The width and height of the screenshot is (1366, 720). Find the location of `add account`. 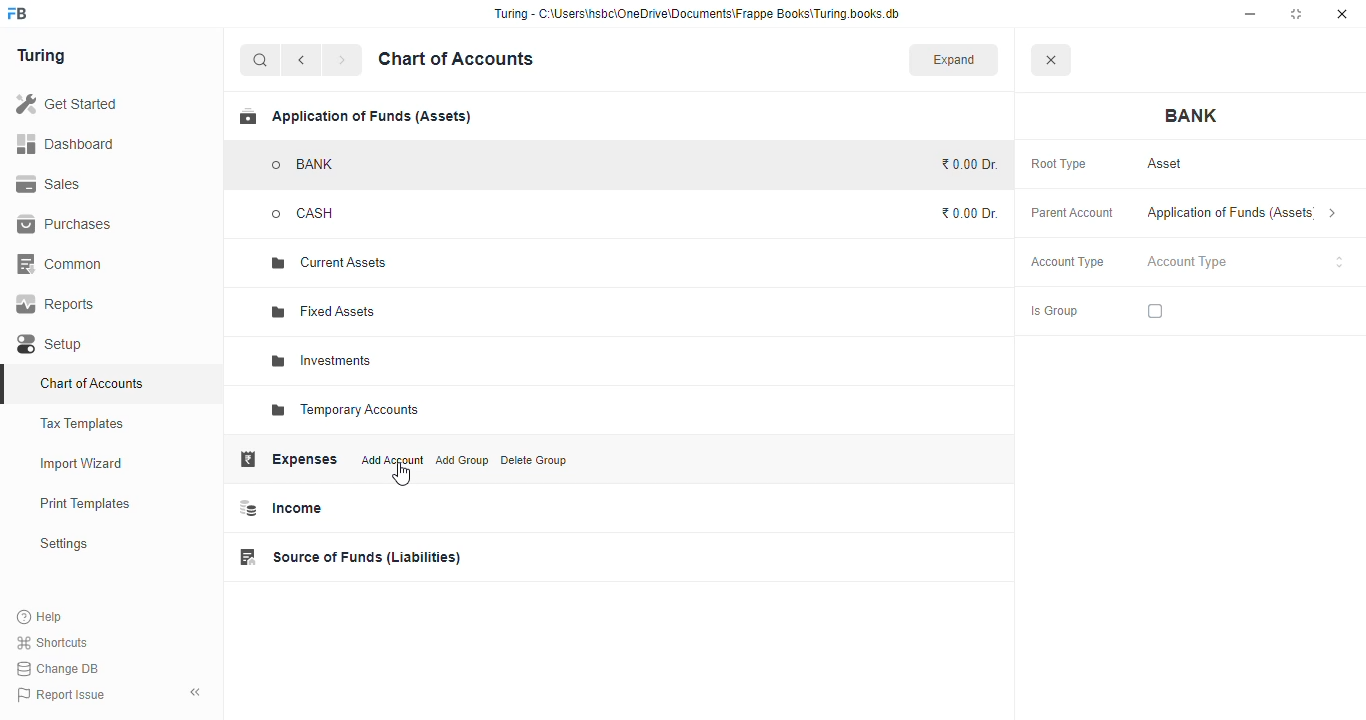

add account is located at coordinates (393, 460).